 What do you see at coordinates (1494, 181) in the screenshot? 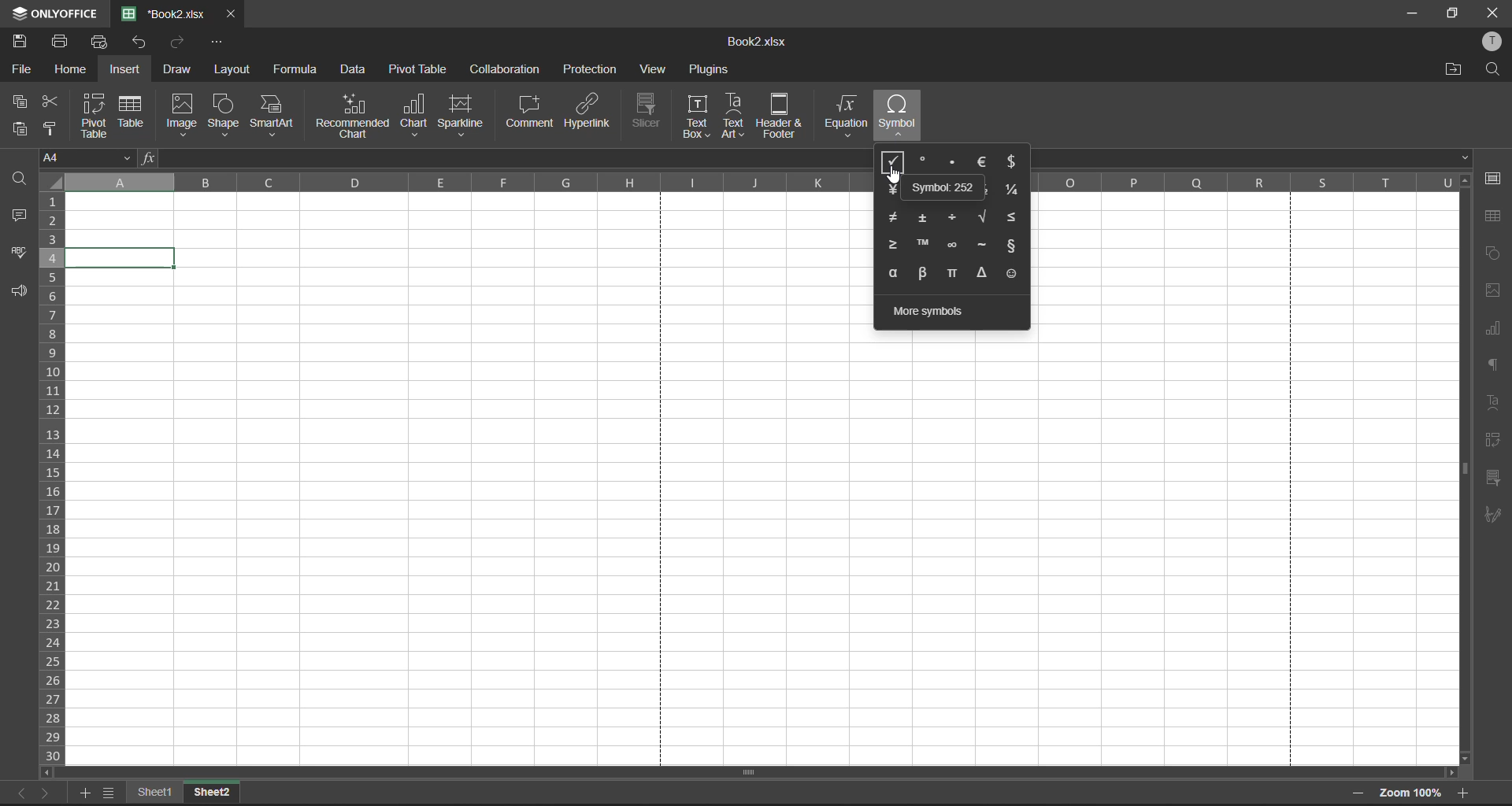
I see `cell settings` at bounding box center [1494, 181].